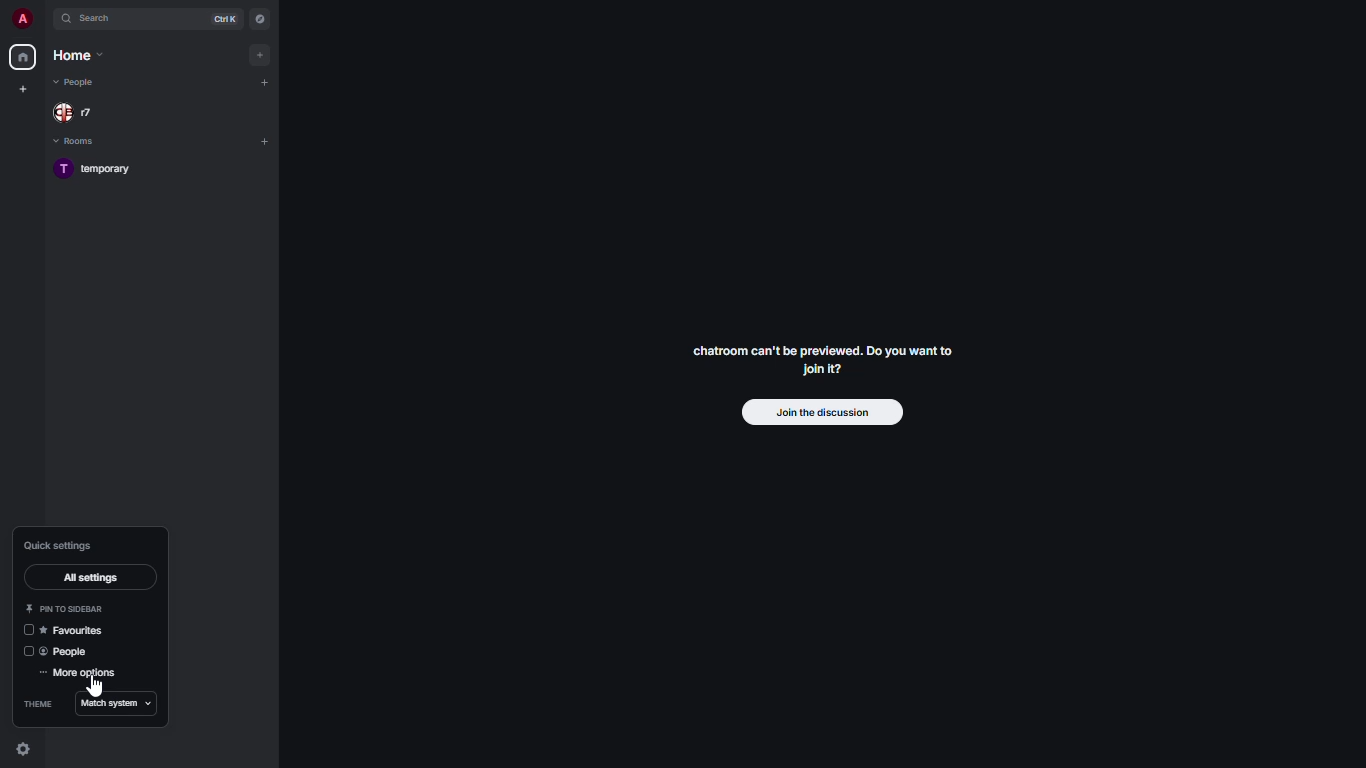 The width and height of the screenshot is (1366, 768). I want to click on quick settings, so click(23, 750).